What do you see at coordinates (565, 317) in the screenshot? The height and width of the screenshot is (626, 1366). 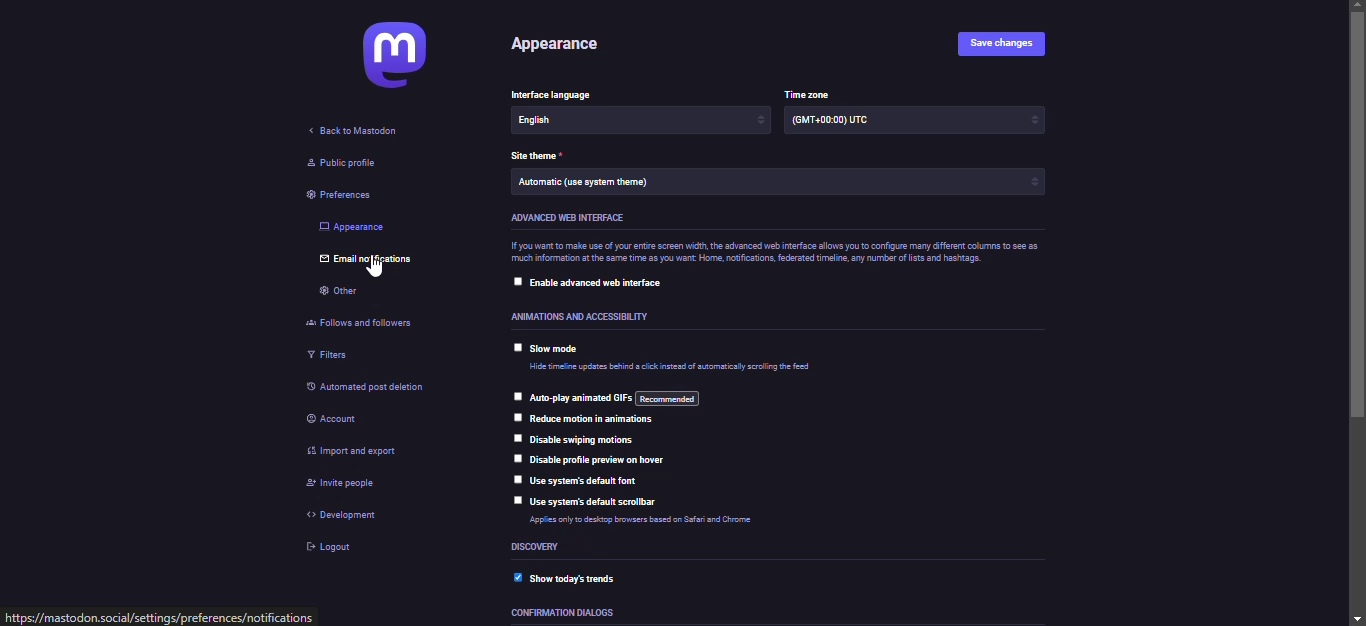 I see `accessibility` at bounding box center [565, 317].